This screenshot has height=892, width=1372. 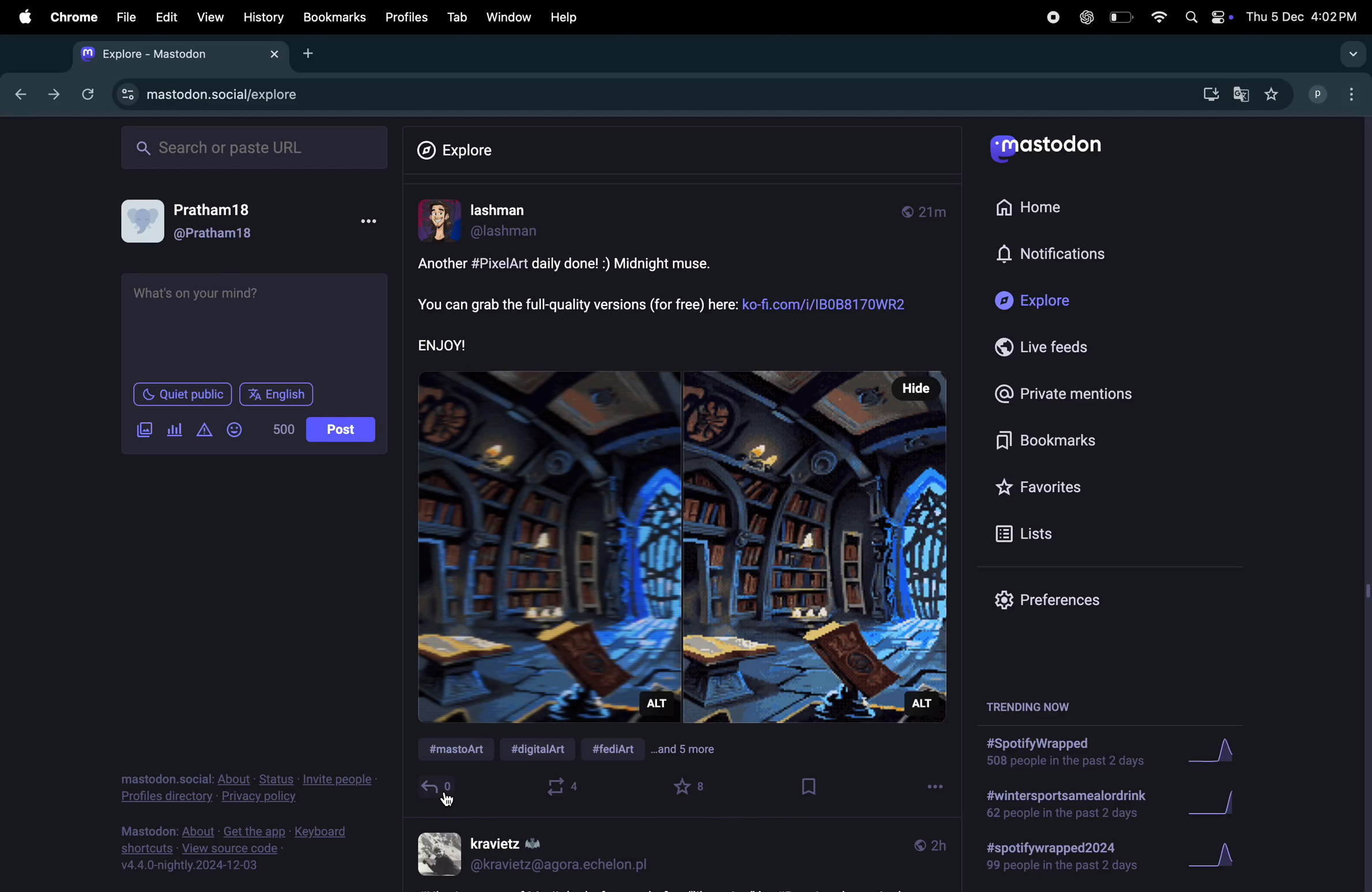 I want to click on user profile, so click(x=536, y=855).